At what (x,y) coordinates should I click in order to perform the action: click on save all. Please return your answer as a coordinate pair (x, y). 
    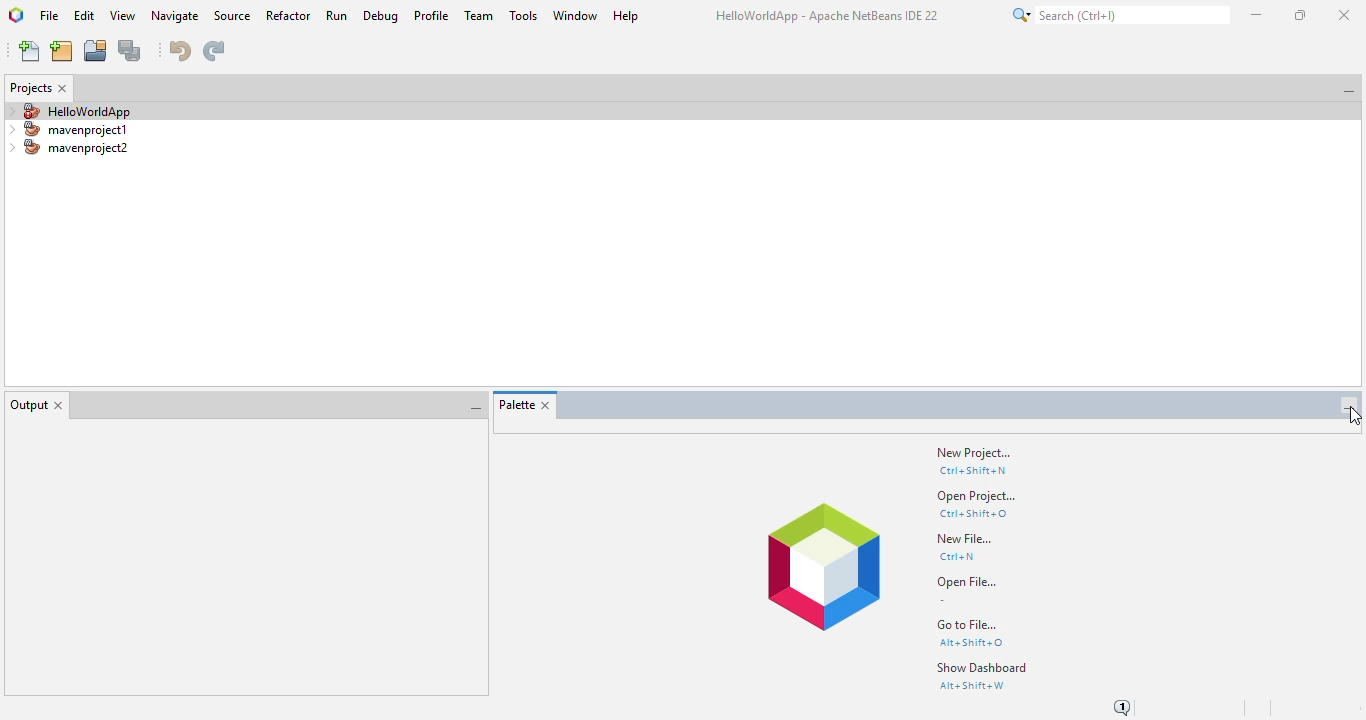
    Looking at the image, I should click on (131, 51).